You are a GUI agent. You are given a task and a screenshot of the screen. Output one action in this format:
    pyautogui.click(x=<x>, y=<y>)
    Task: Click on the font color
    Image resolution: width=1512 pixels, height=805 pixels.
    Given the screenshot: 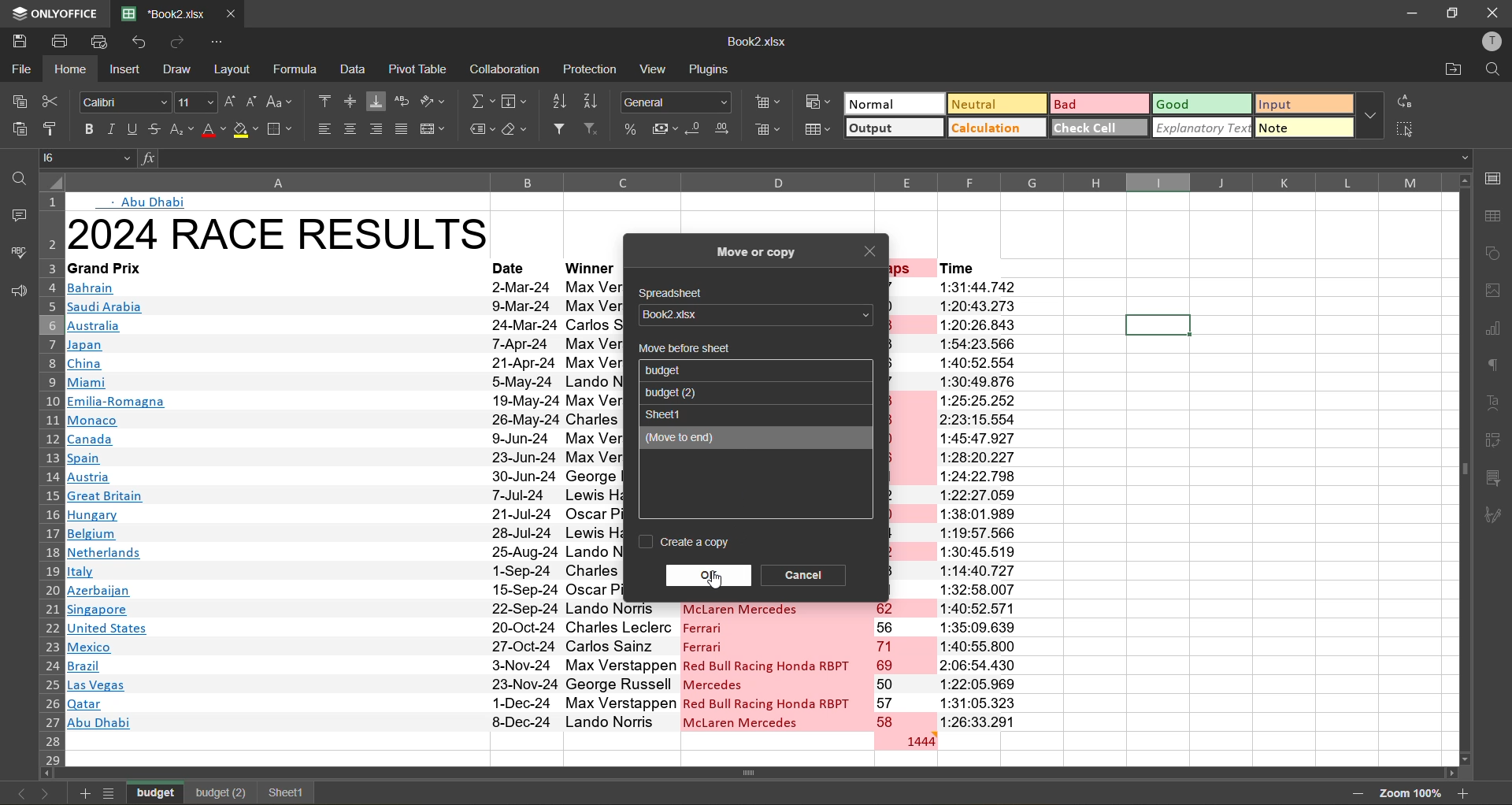 What is the action you would take?
    pyautogui.click(x=213, y=131)
    